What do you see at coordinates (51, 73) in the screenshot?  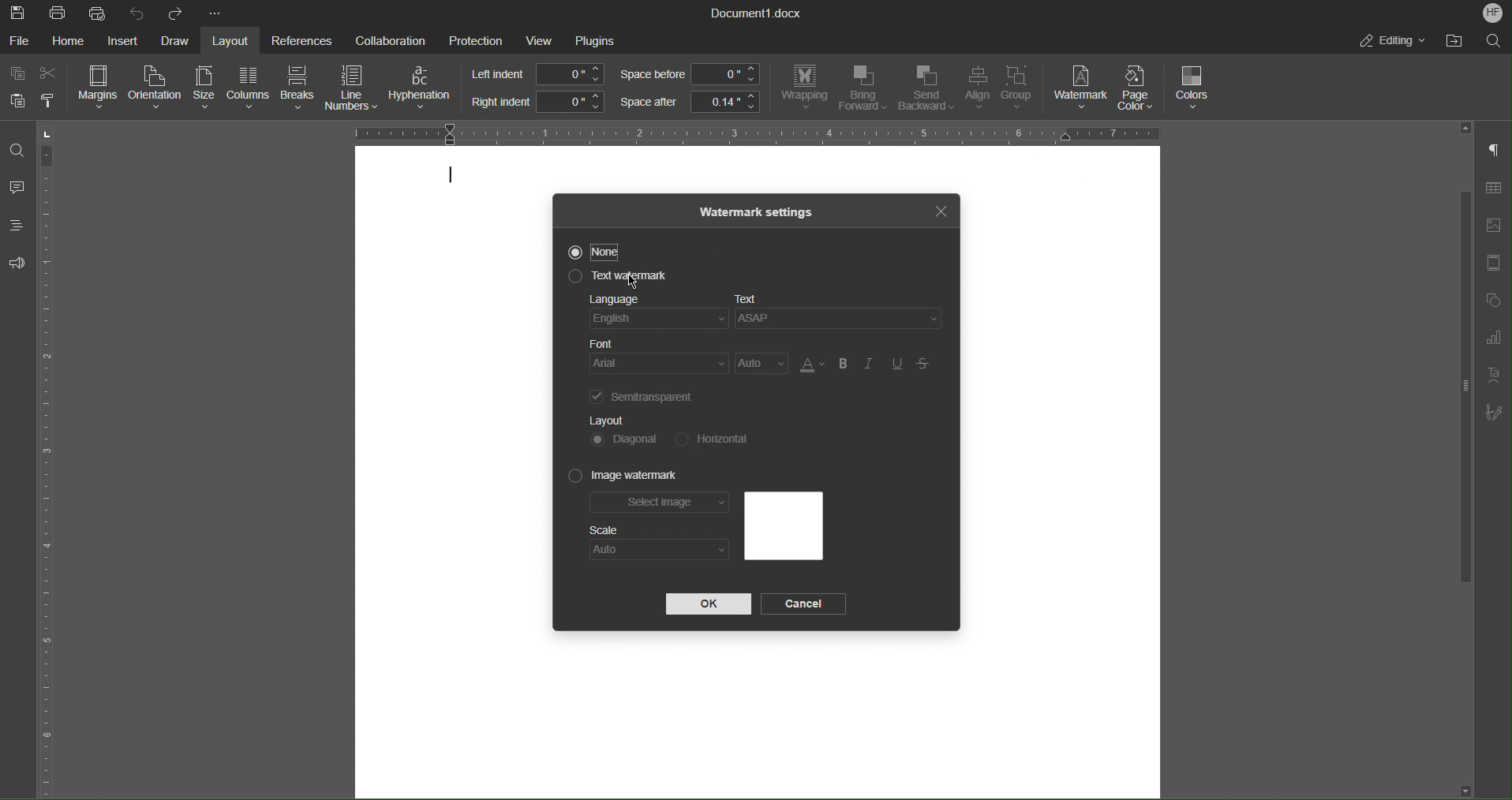 I see `Cut` at bounding box center [51, 73].